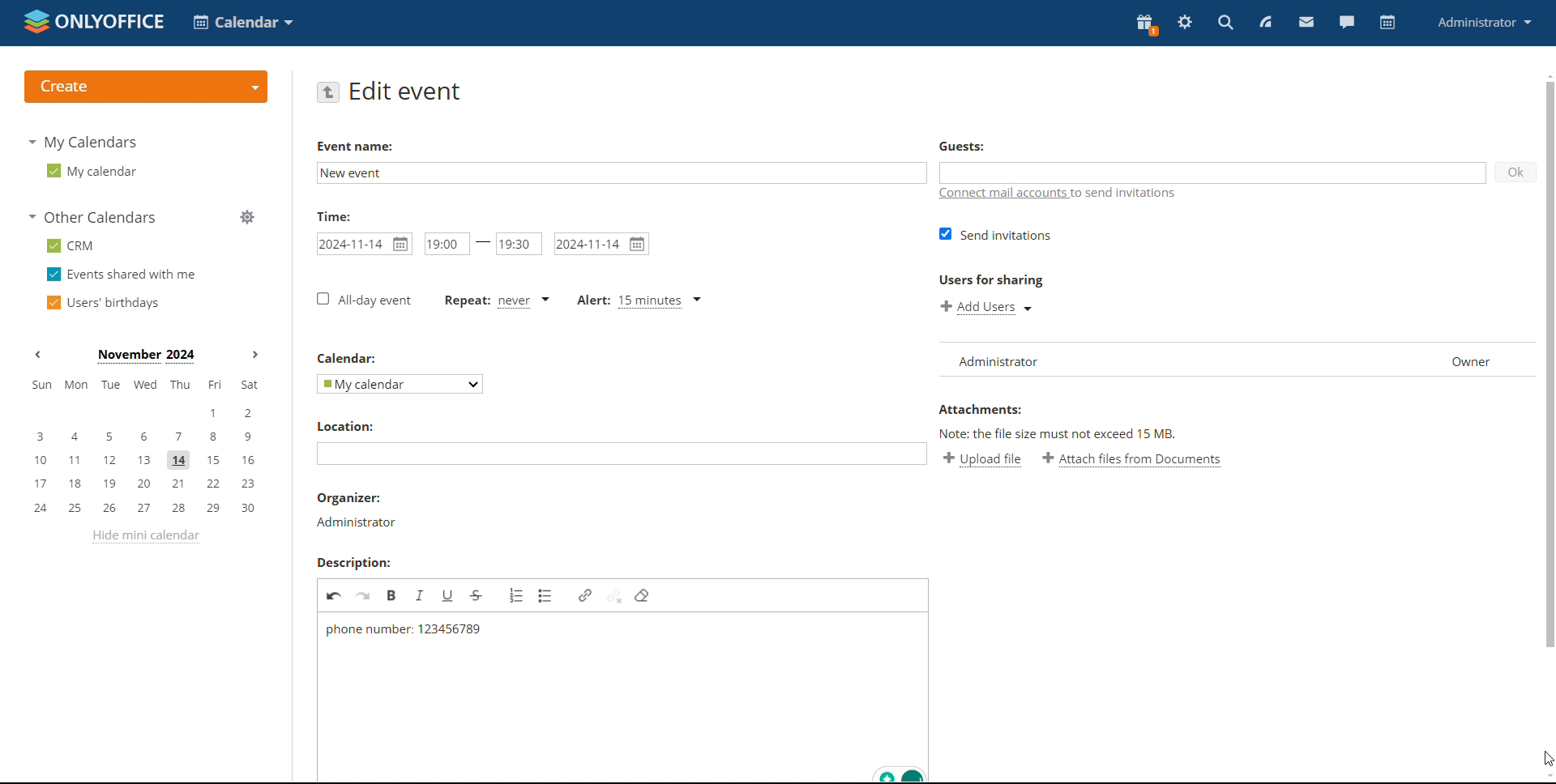 The width and height of the screenshot is (1556, 784). I want to click on event name, so click(358, 143).